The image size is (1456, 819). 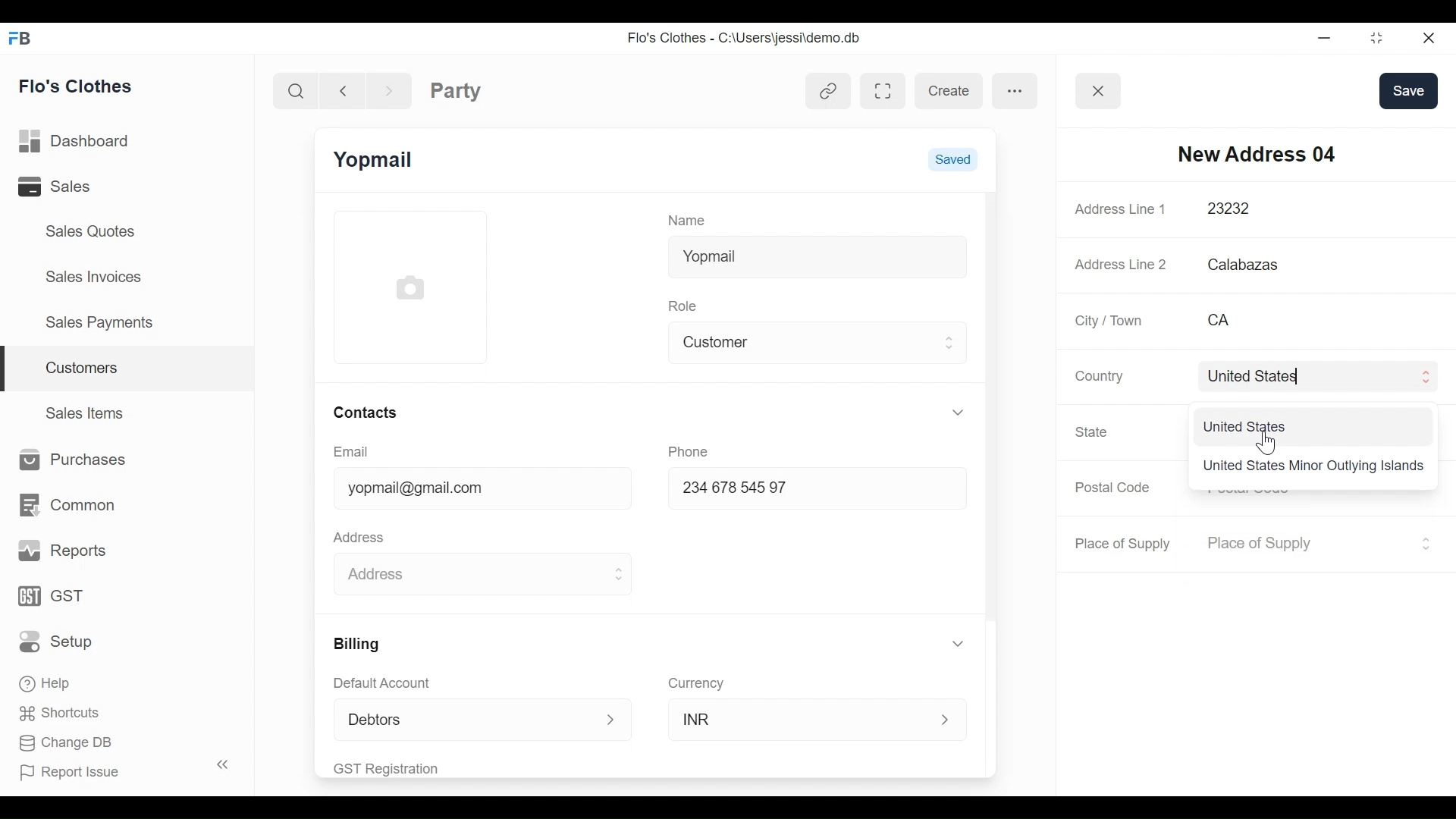 I want to click on Customers, so click(x=129, y=369).